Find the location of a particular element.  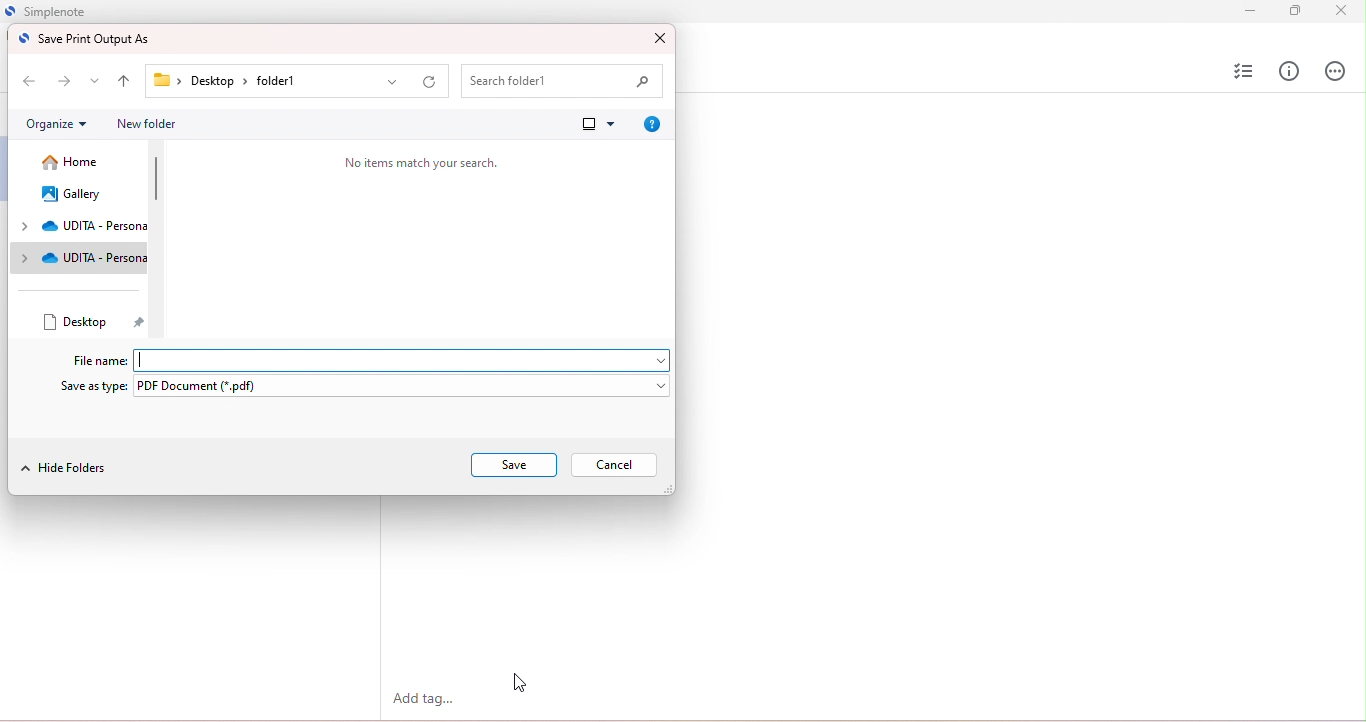

close is located at coordinates (1340, 12).